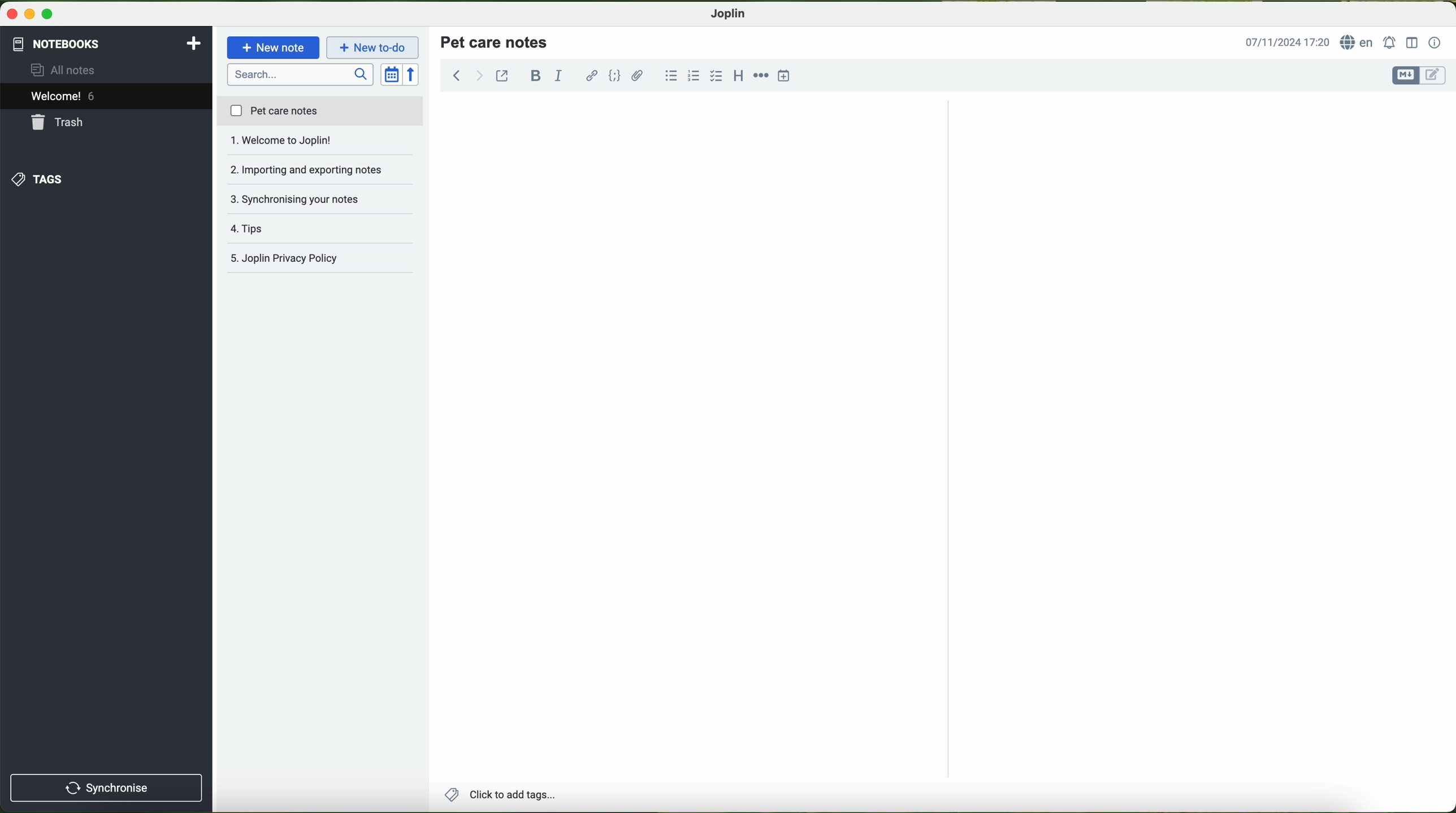 This screenshot has width=1456, height=813. I want to click on synchronise button, so click(106, 788).